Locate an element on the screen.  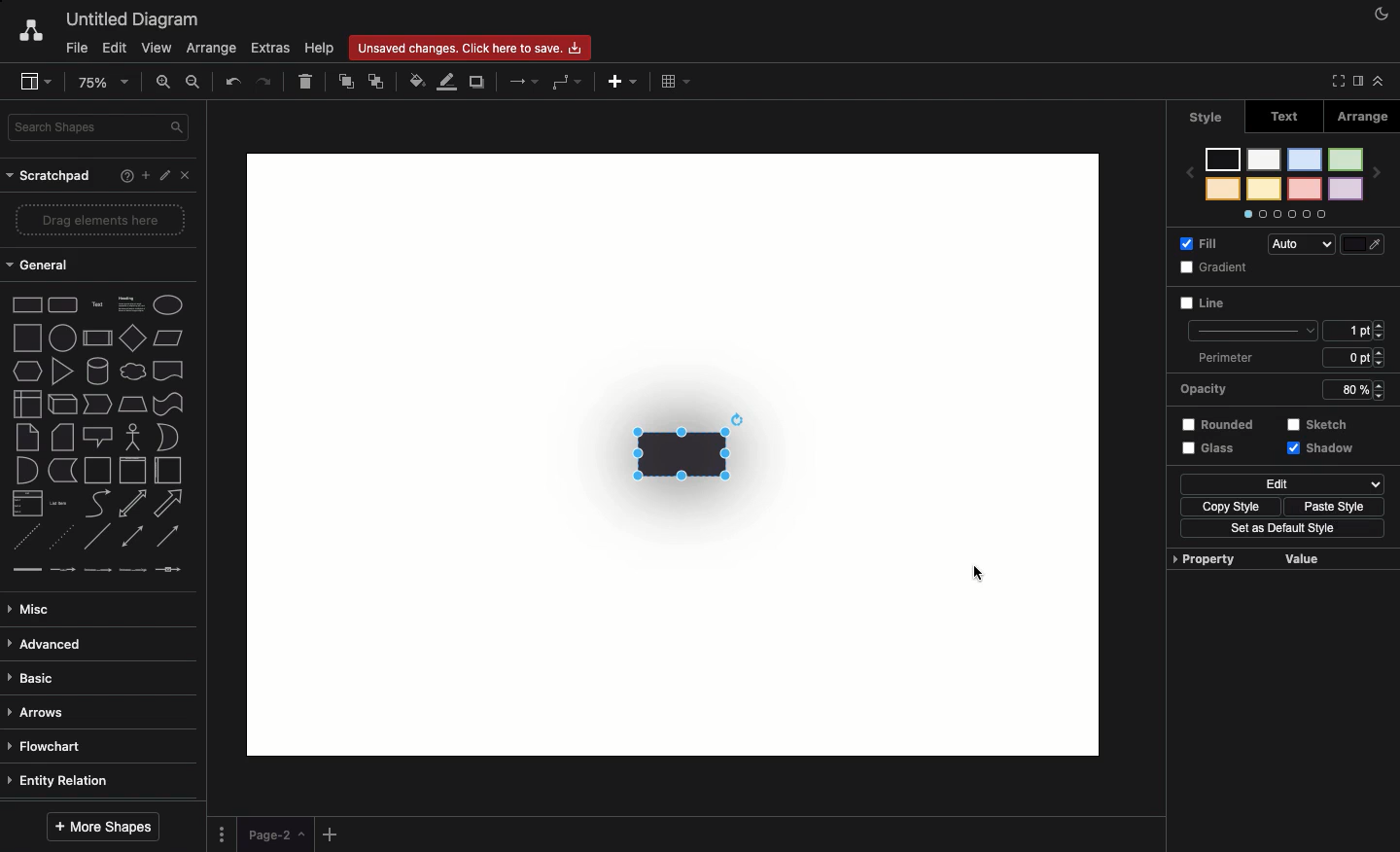
actor is located at coordinates (135, 437).